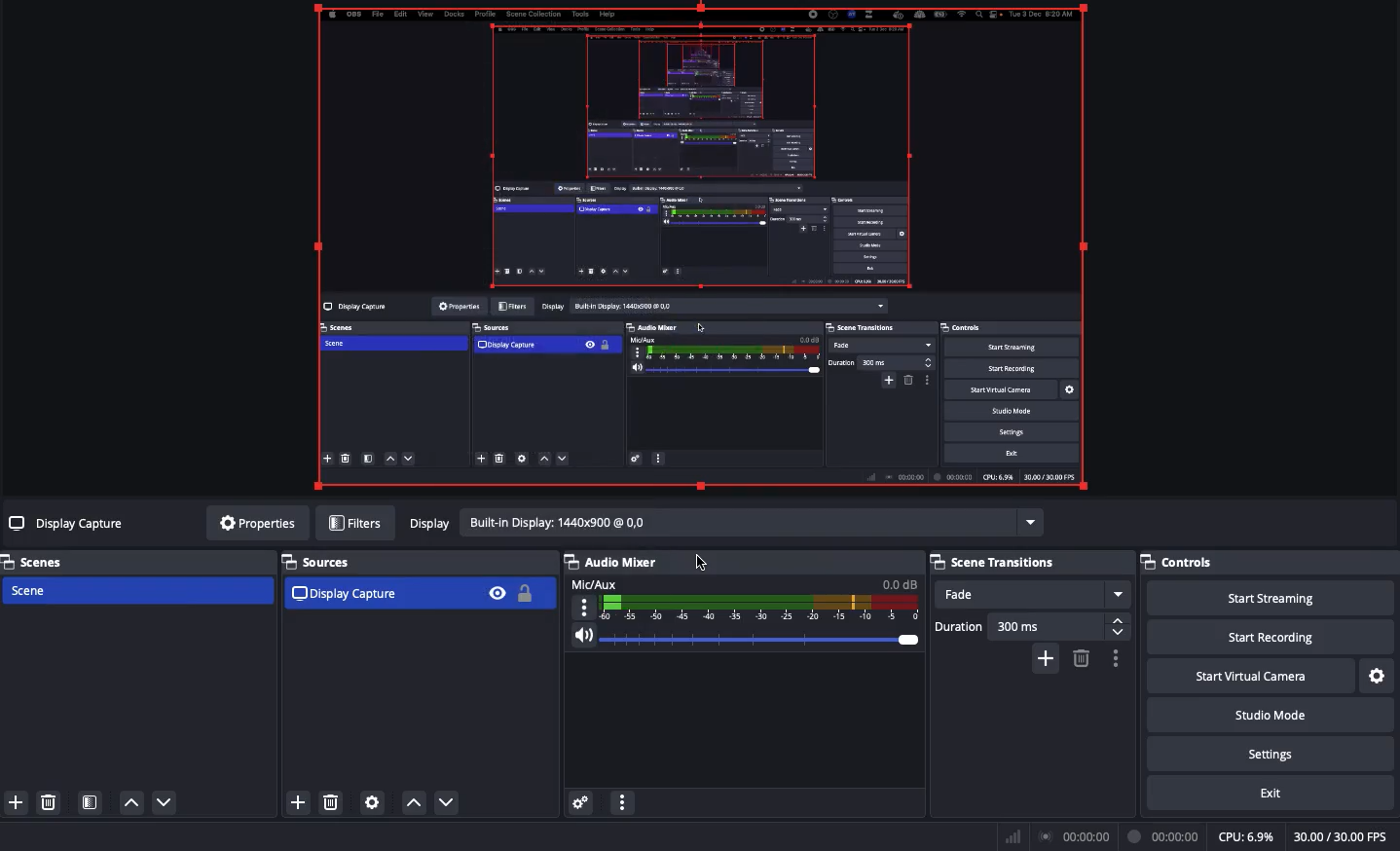 This screenshot has height=851, width=1400. I want to click on Exit, so click(1270, 795).